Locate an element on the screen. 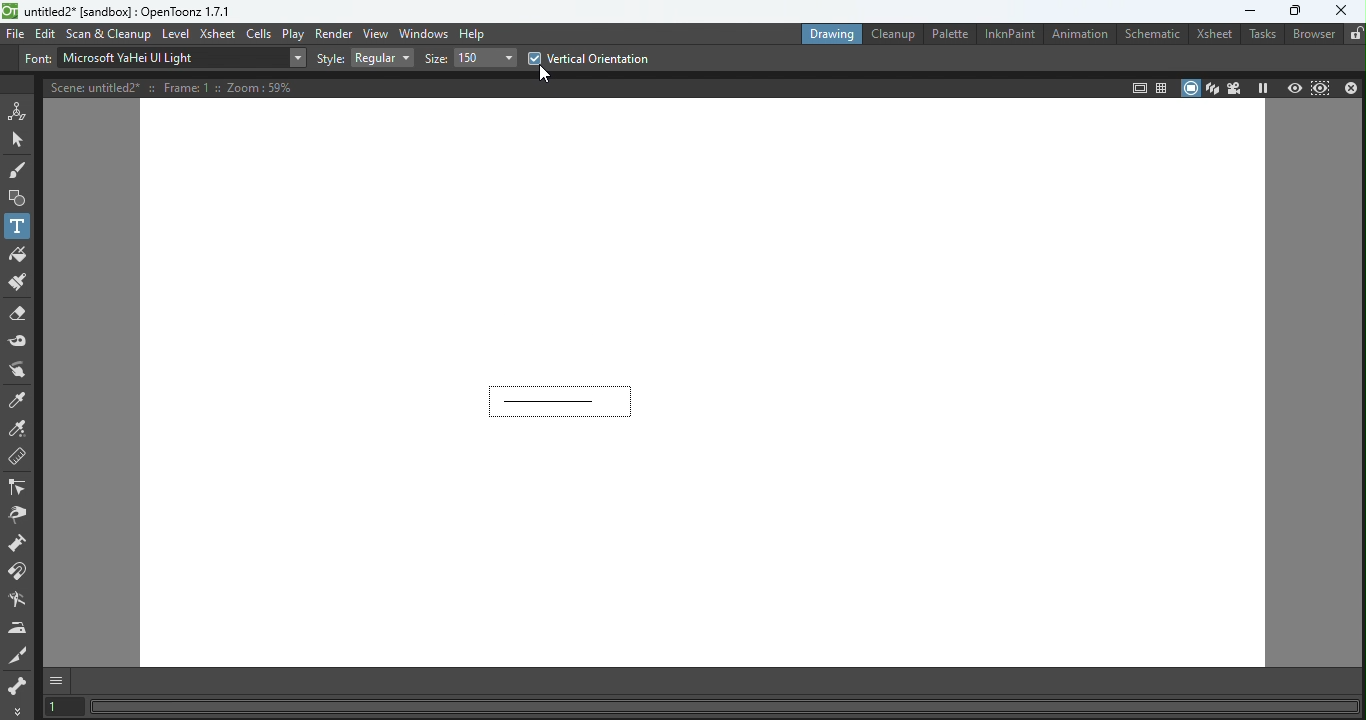  Animate tool is located at coordinates (17, 110).